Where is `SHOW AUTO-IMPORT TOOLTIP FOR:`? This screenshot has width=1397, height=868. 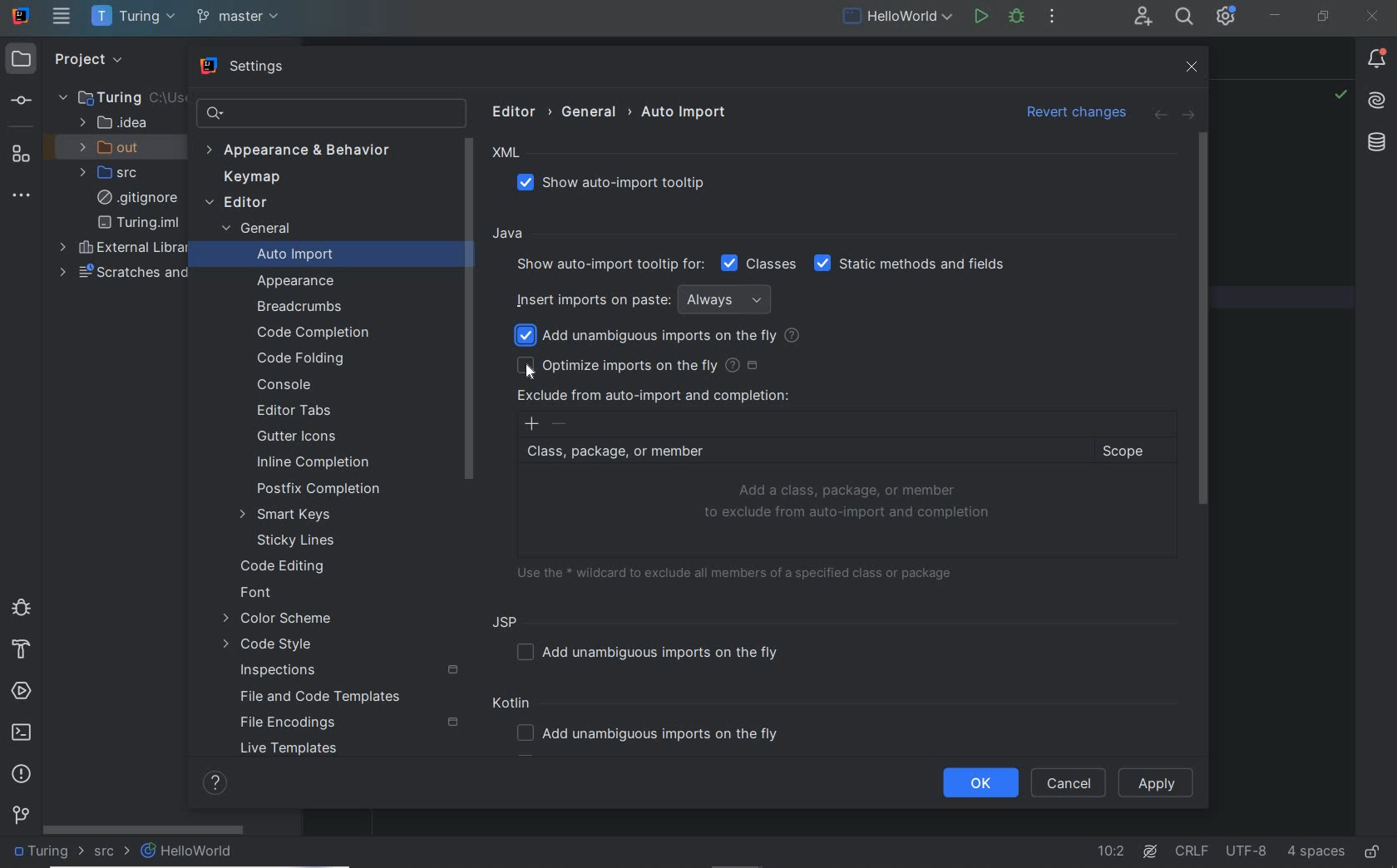
SHOW AUTO-IMPORT TOOLTIP FOR: is located at coordinates (608, 264).